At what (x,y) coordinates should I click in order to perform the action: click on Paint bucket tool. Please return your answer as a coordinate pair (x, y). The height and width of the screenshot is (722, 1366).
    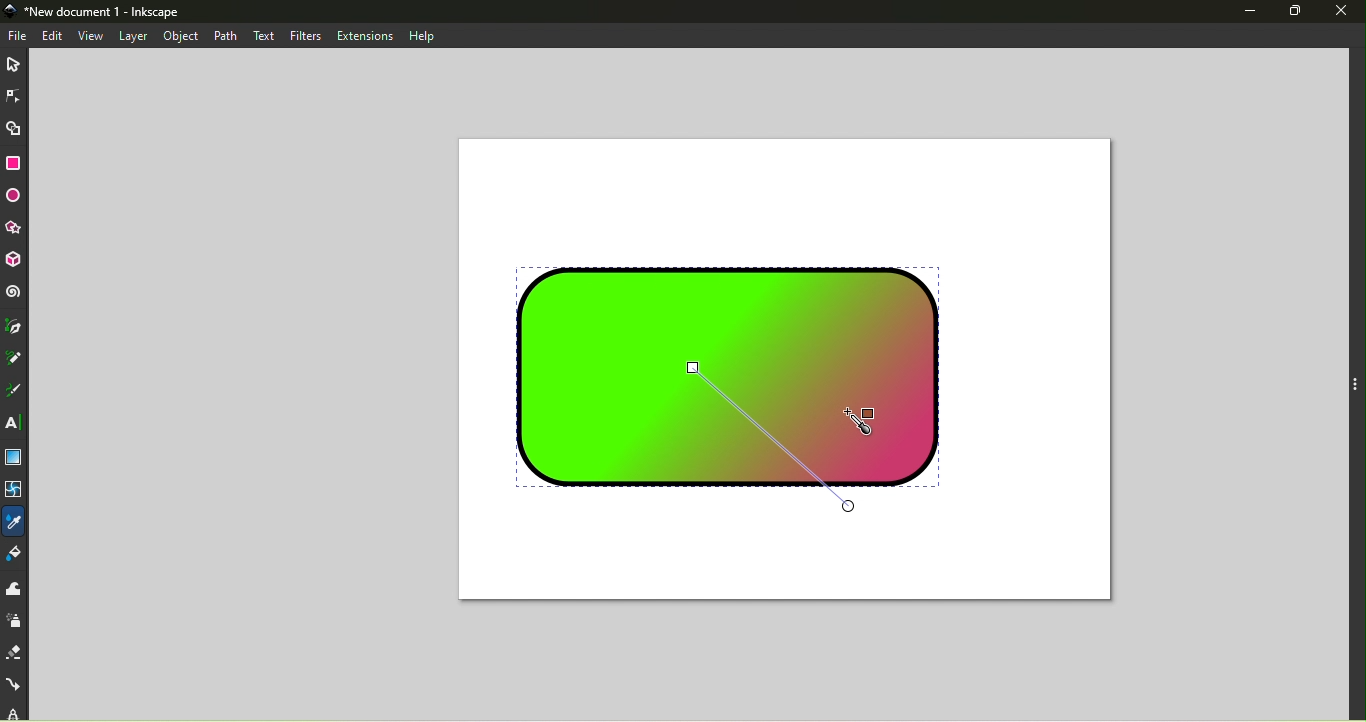
    Looking at the image, I should click on (18, 556).